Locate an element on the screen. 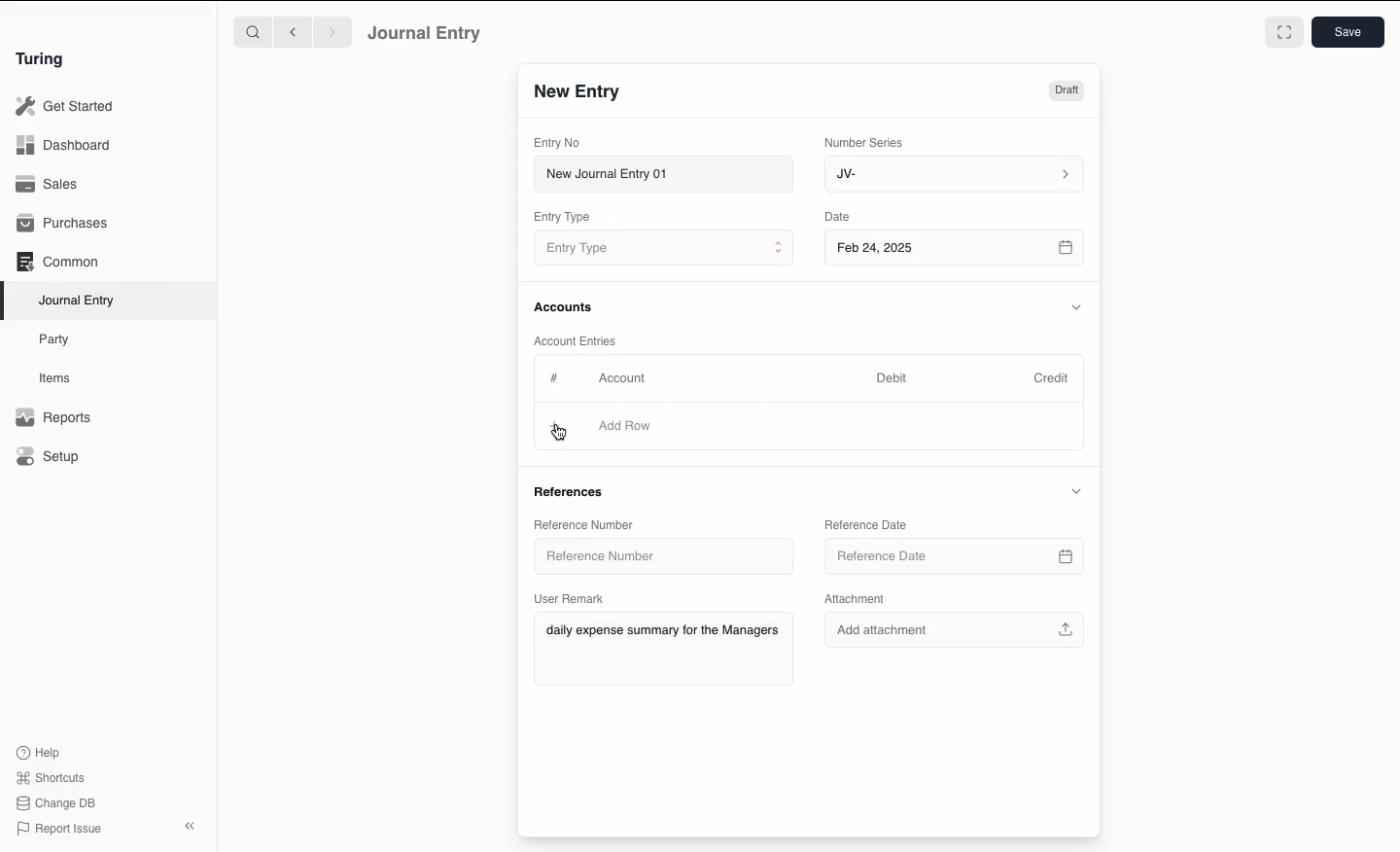 The image size is (1400, 852). Dashboard is located at coordinates (63, 146).